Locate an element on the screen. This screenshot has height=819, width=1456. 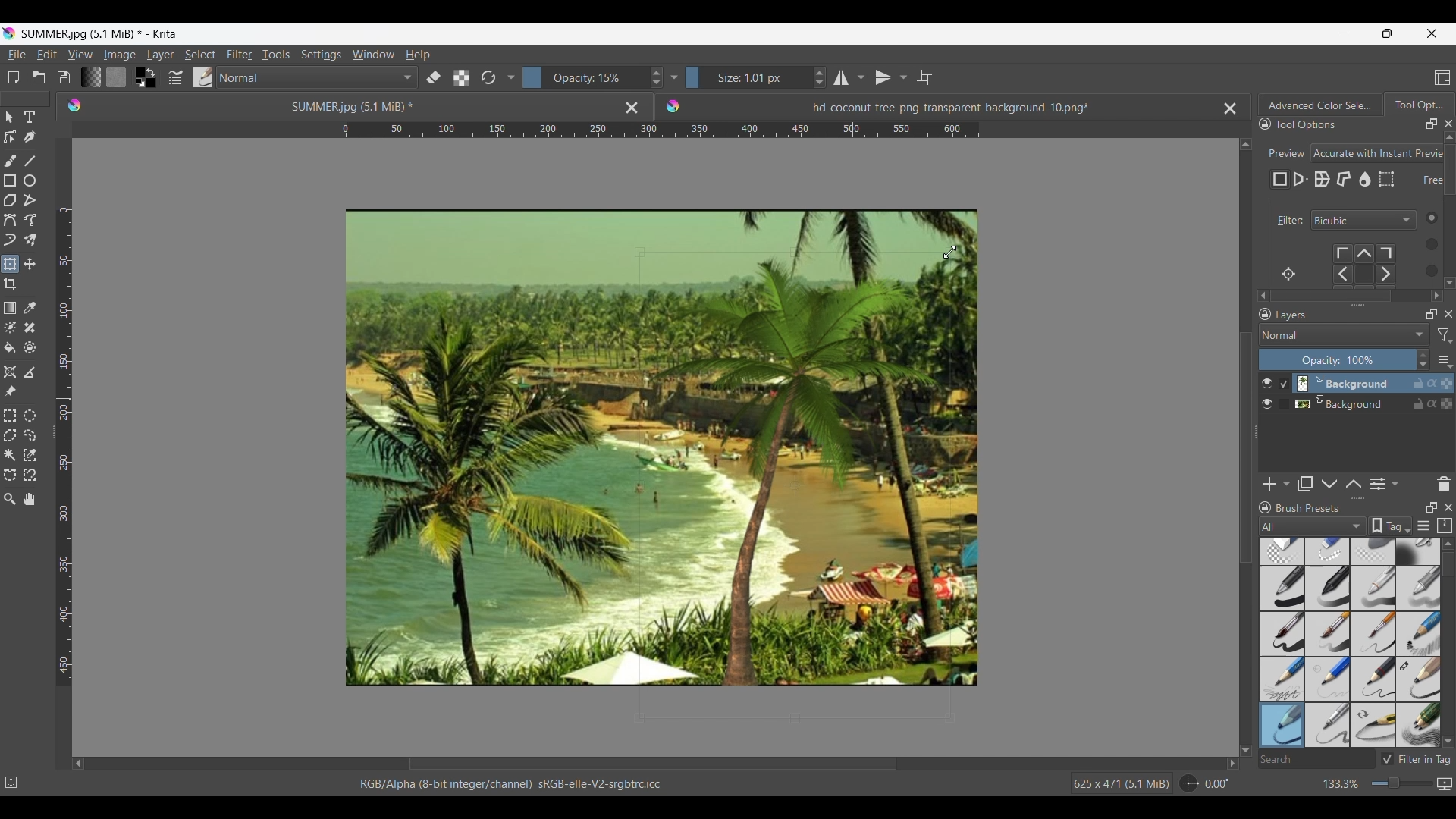
Multibrush tool is located at coordinates (29, 240).